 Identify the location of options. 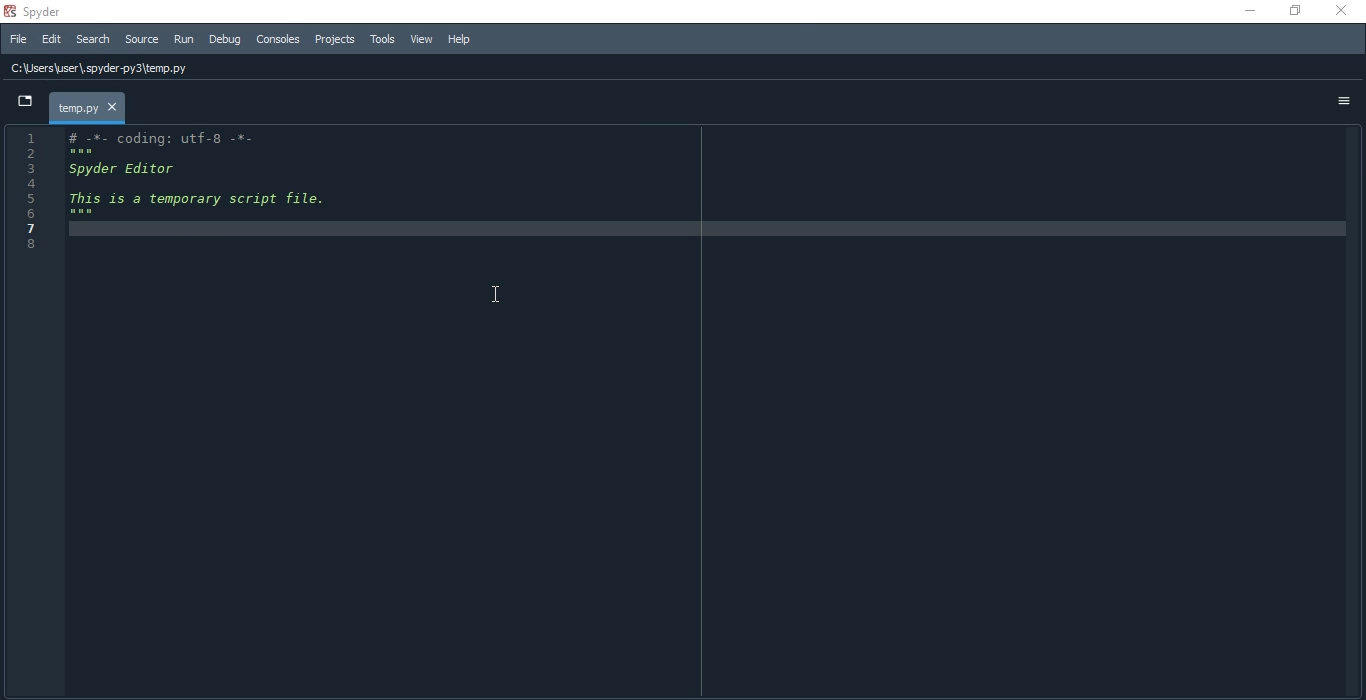
(1344, 100).